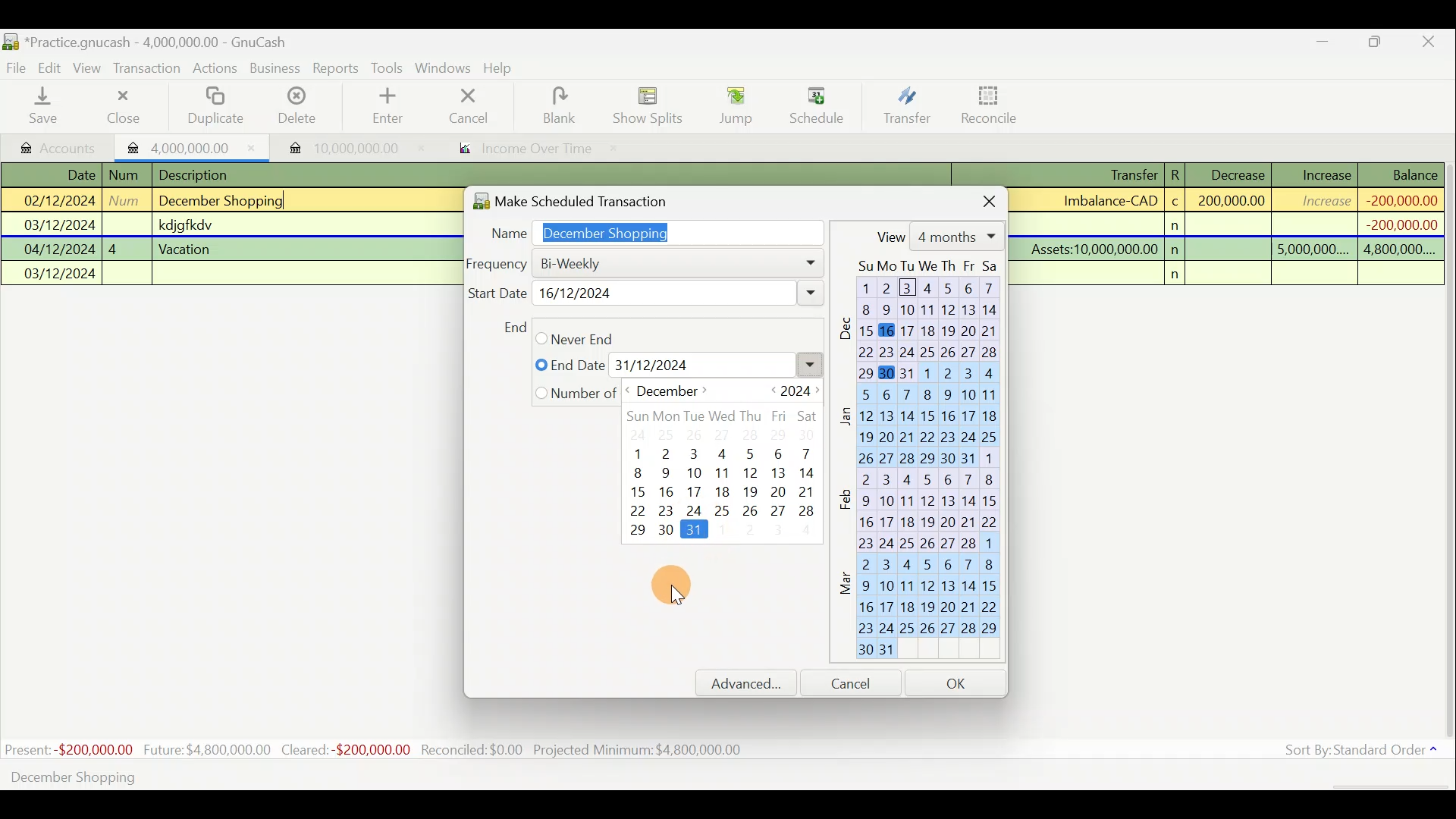 This screenshot has height=819, width=1456. I want to click on Cursor, so click(815, 99).